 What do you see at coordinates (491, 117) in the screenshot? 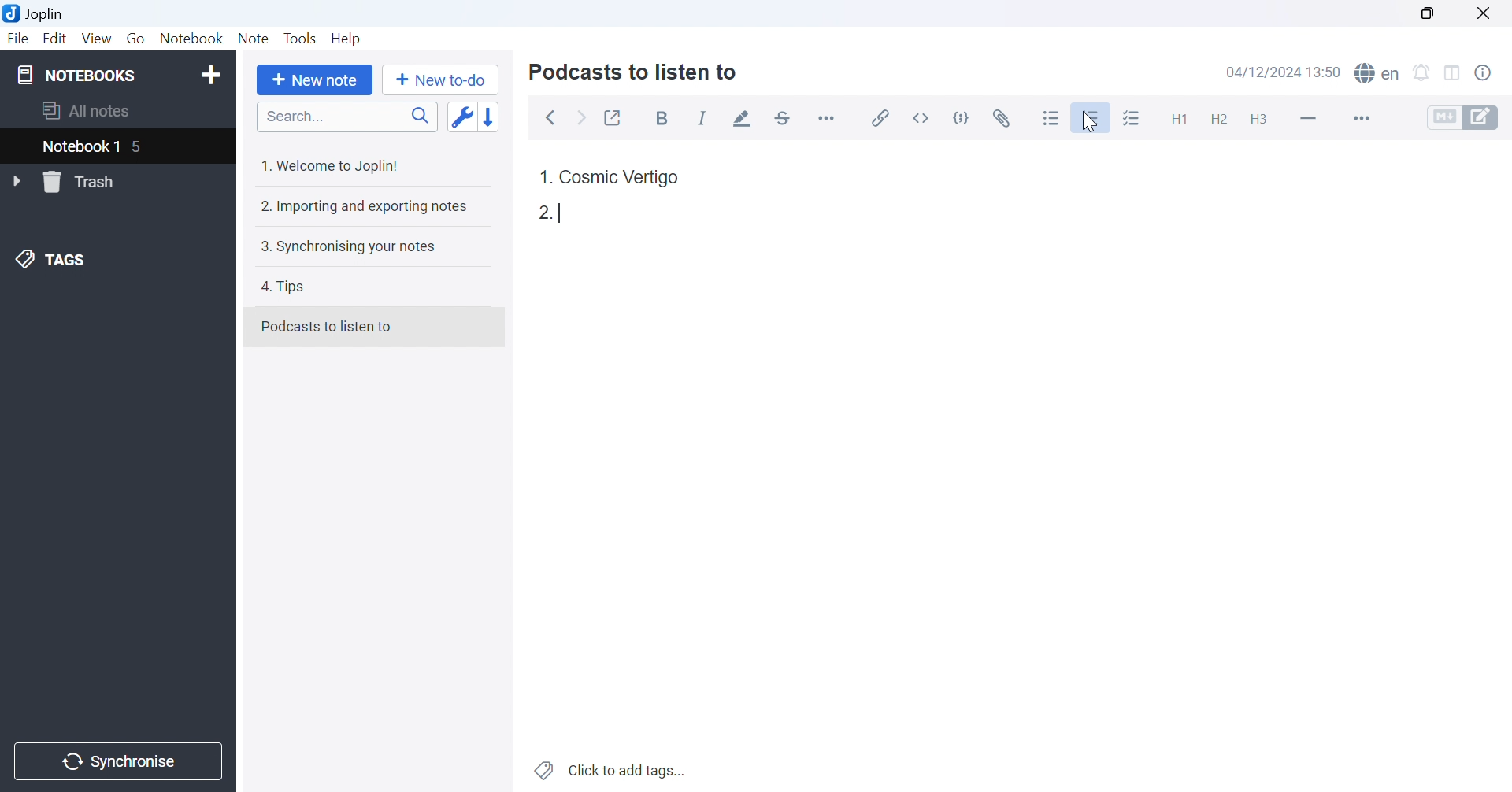
I see `Reverse sort order` at bounding box center [491, 117].